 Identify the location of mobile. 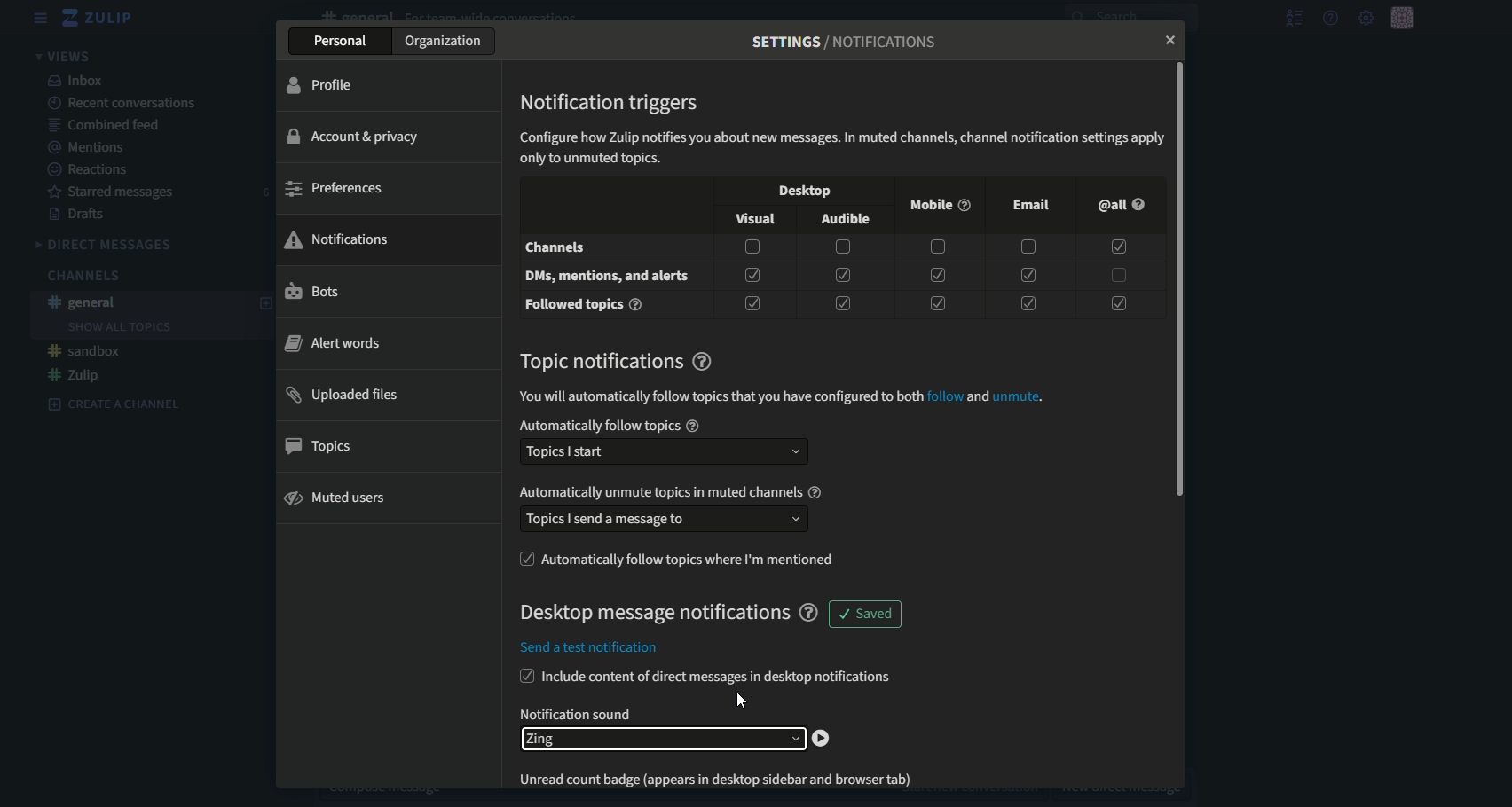
(937, 206).